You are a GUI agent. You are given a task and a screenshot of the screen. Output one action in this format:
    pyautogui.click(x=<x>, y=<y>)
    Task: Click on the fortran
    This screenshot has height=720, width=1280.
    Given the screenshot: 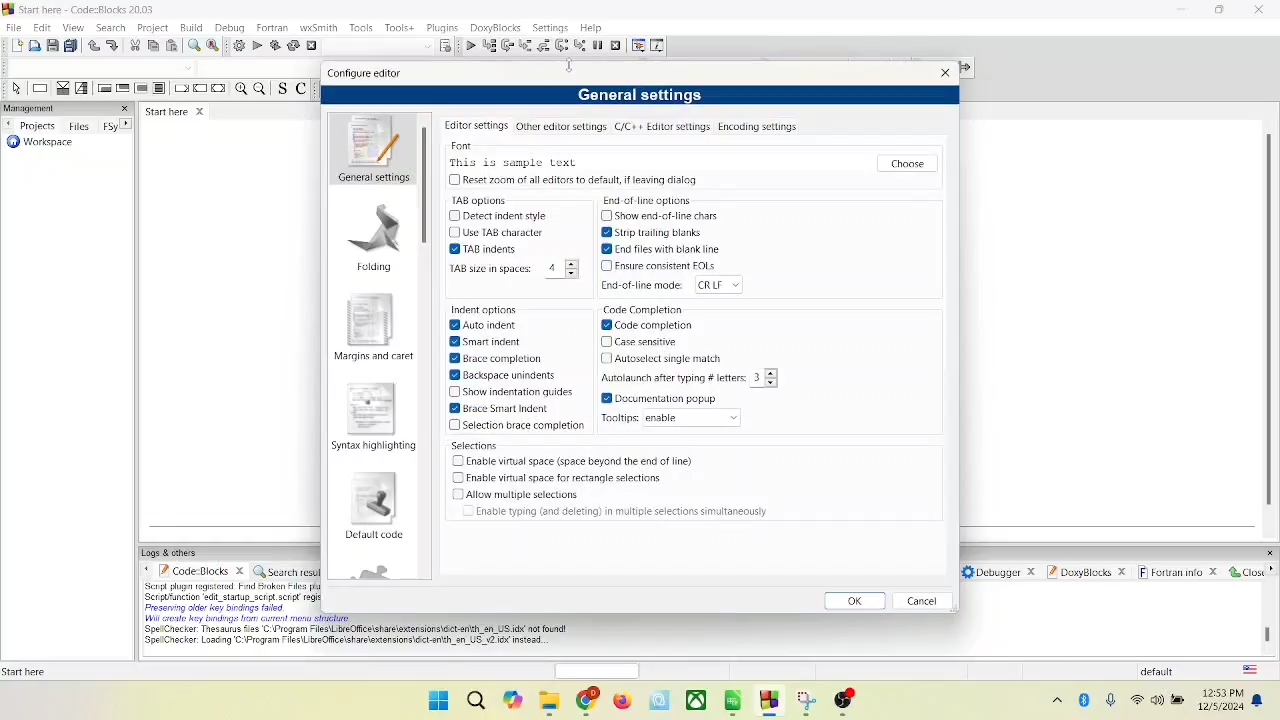 What is the action you would take?
    pyautogui.click(x=271, y=28)
    